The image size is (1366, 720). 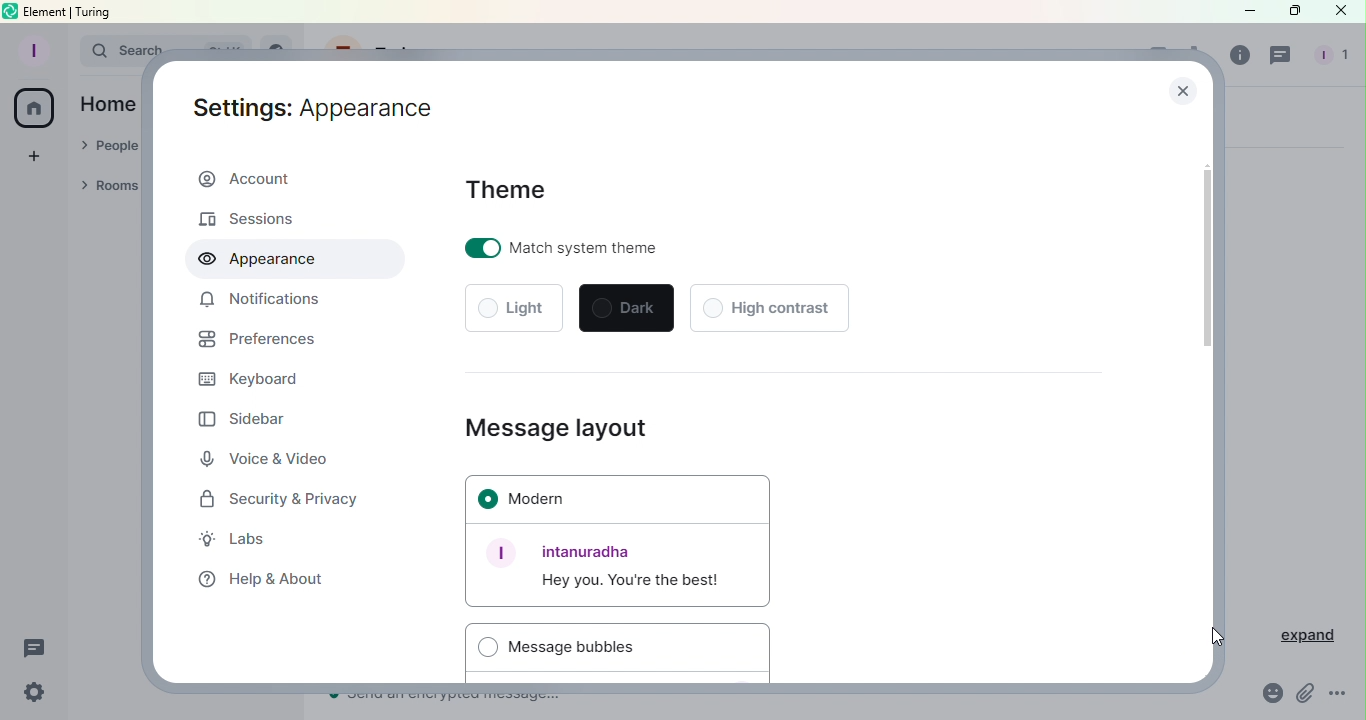 What do you see at coordinates (1247, 11) in the screenshot?
I see `Minimize` at bounding box center [1247, 11].